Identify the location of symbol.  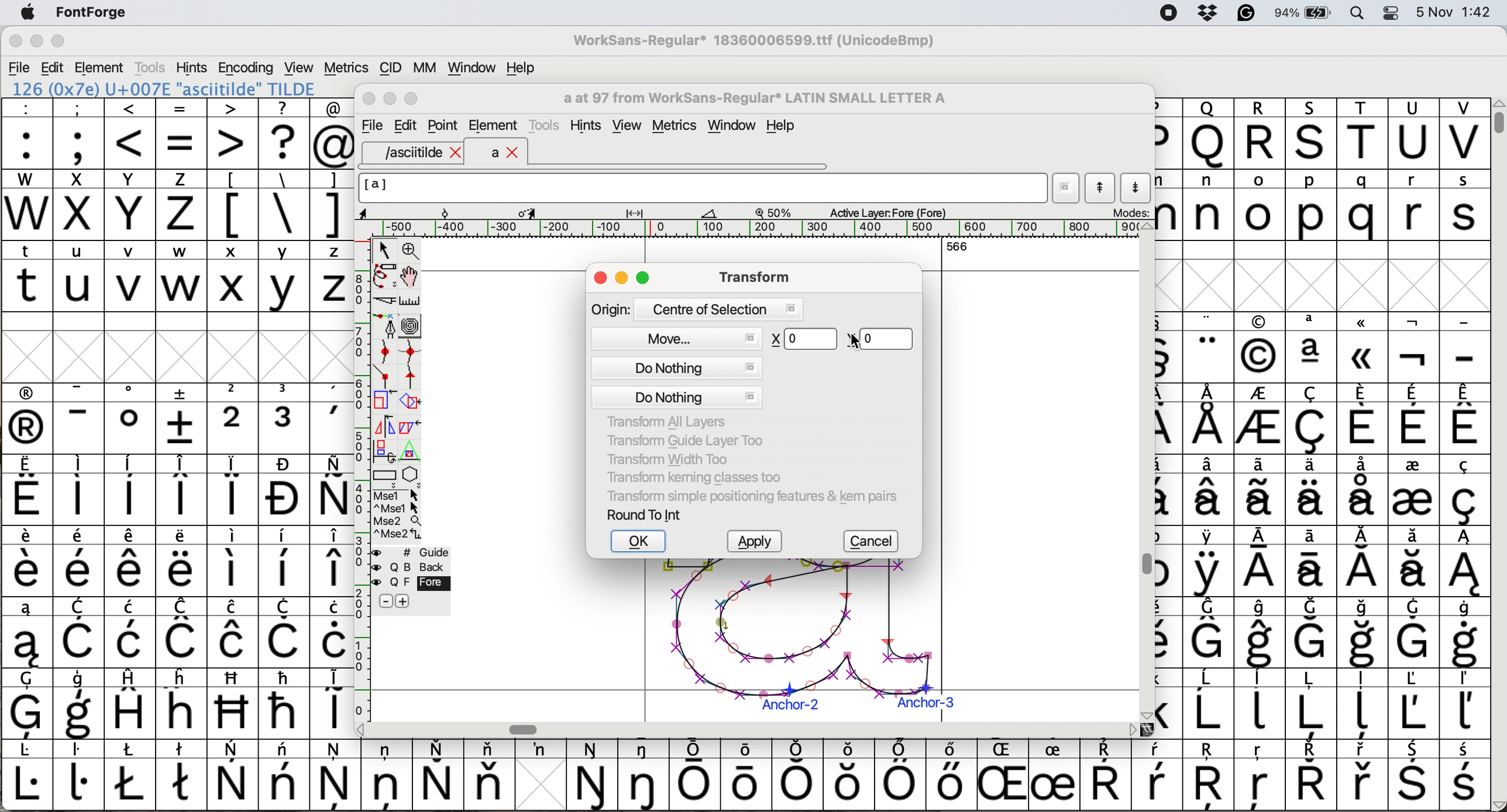
(1105, 776).